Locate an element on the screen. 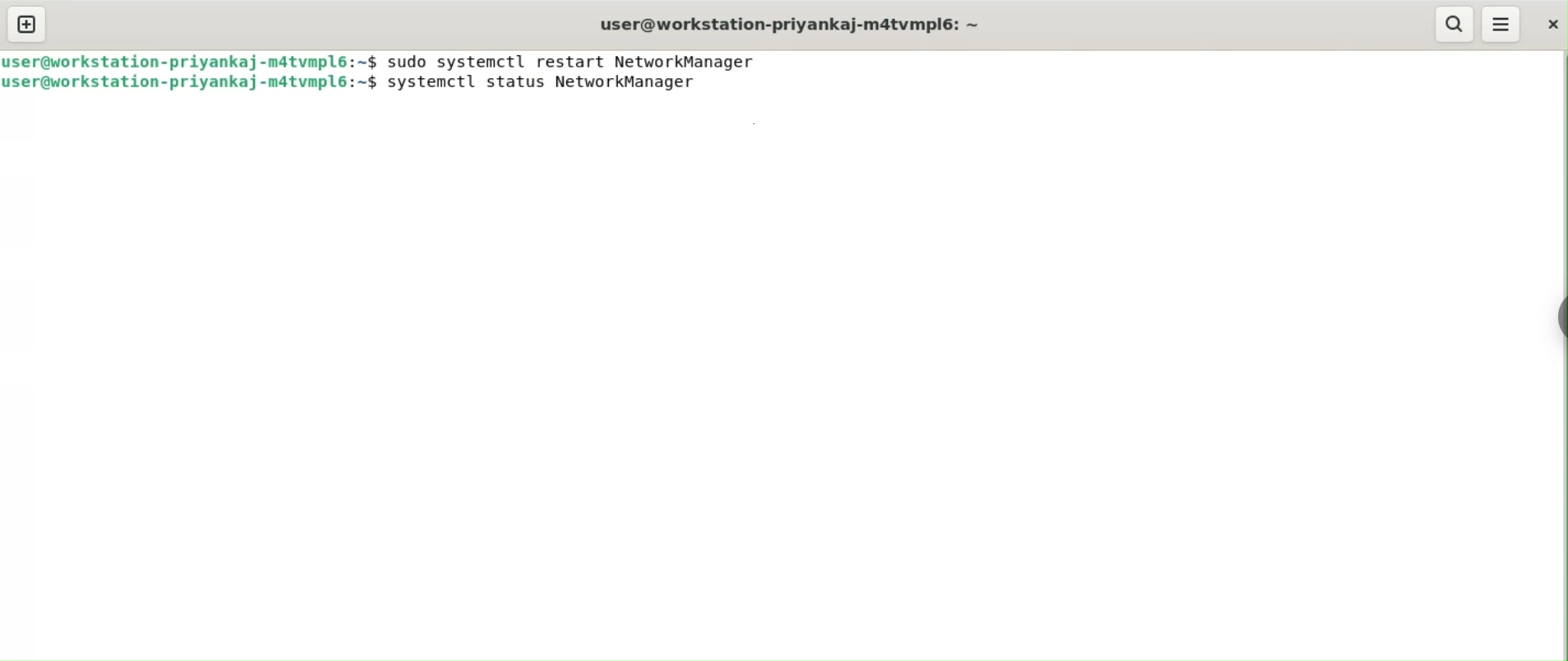 This screenshot has width=1568, height=661. close is located at coordinates (1552, 25).